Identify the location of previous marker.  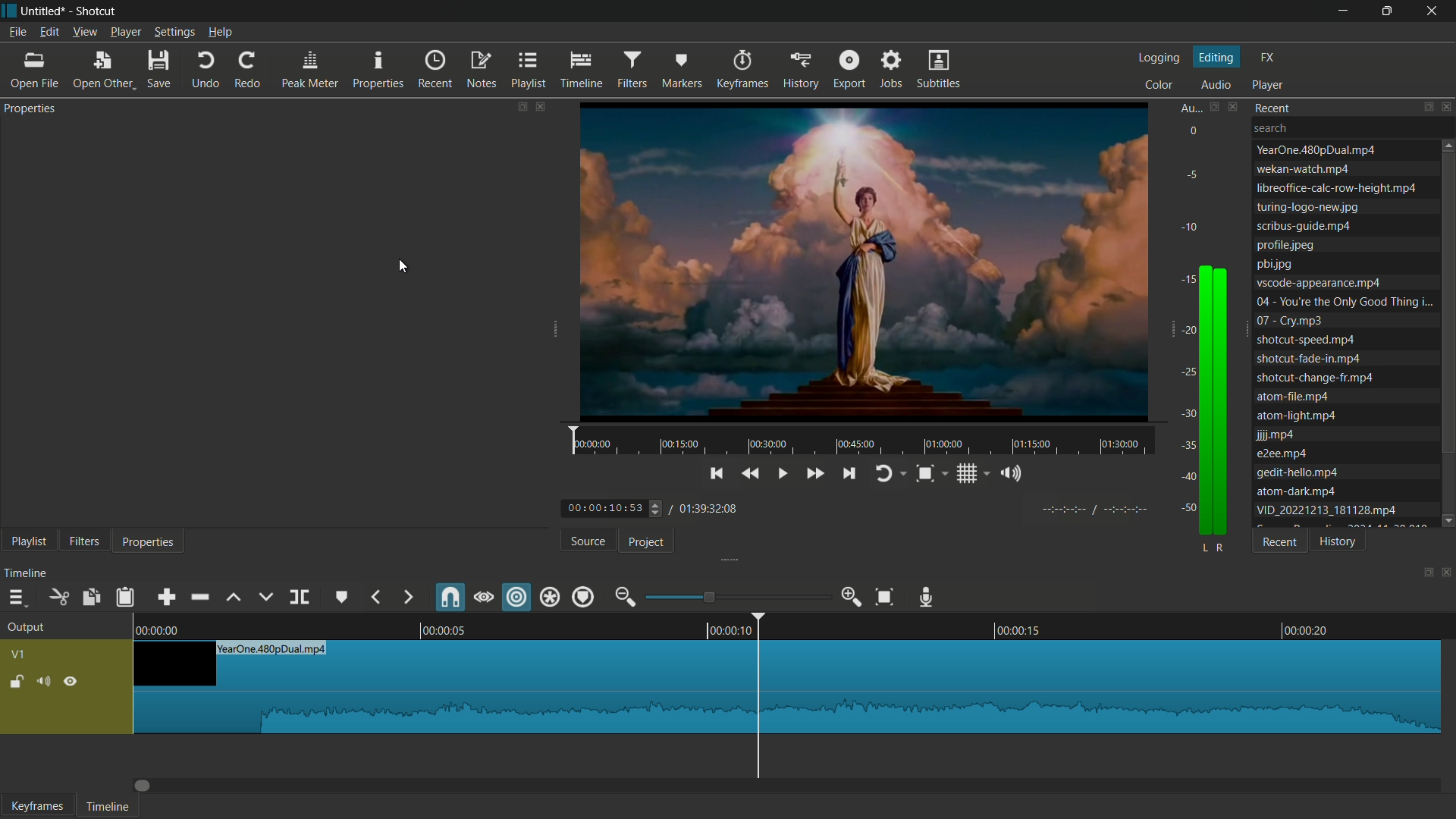
(377, 598).